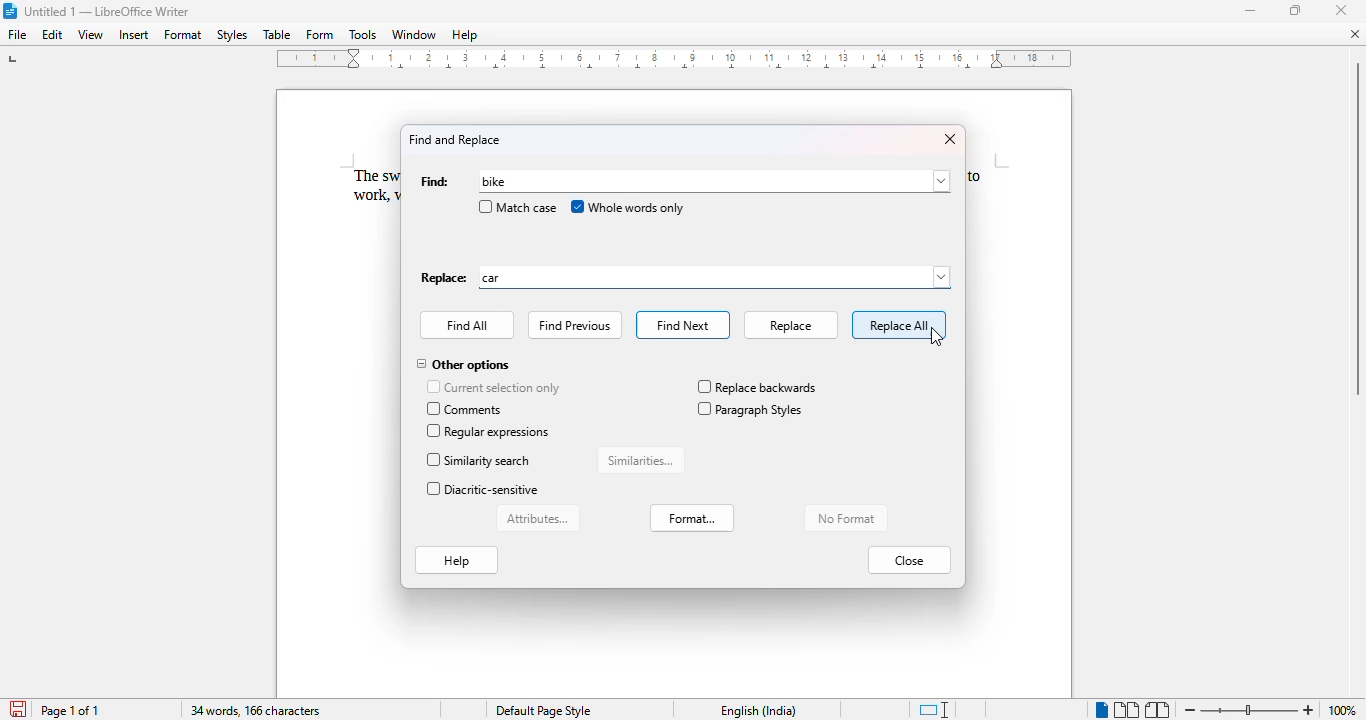  What do you see at coordinates (18, 34) in the screenshot?
I see `file` at bounding box center [18, 34].